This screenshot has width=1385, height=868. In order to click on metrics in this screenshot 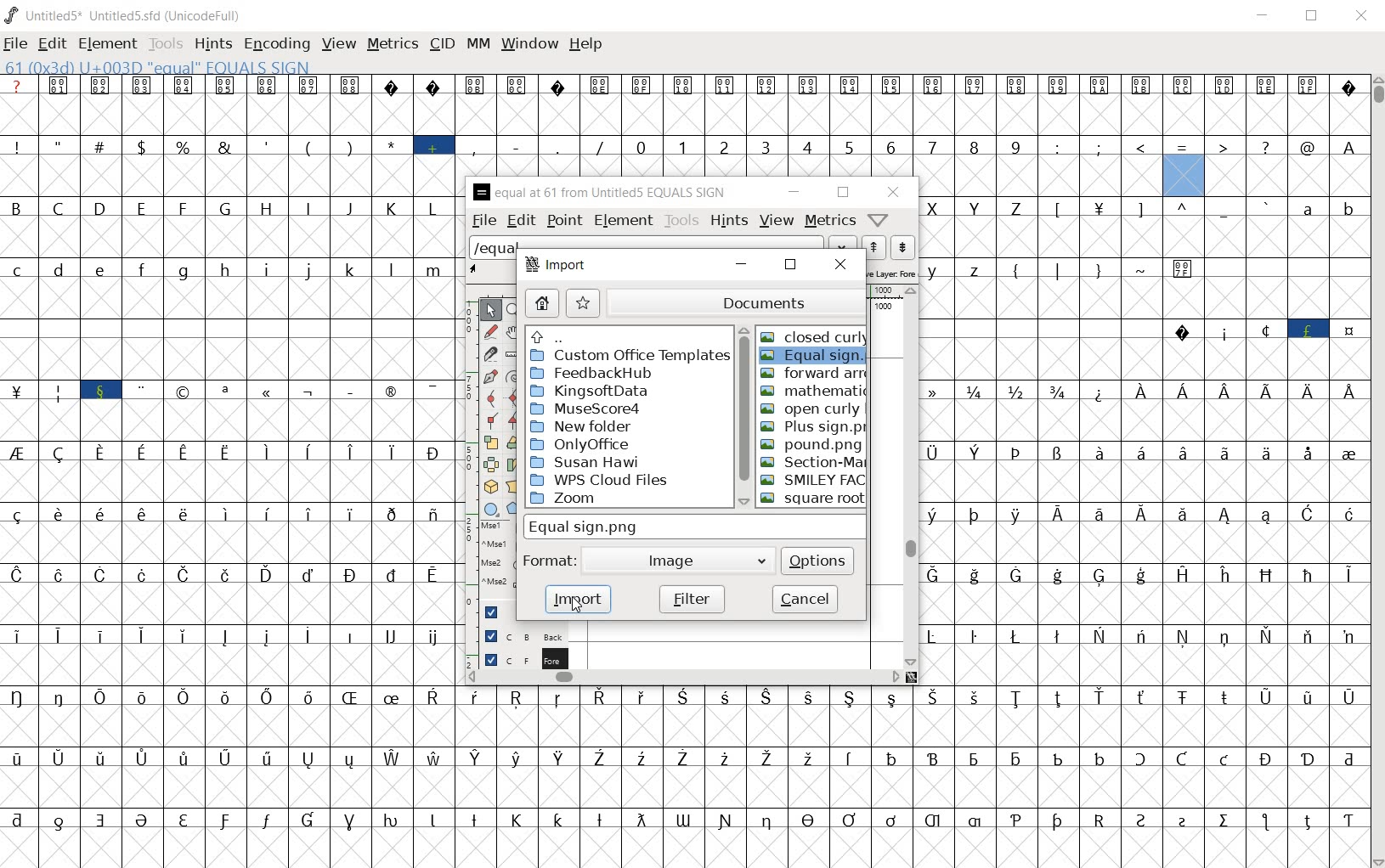, I will do `click(392, 44)`.